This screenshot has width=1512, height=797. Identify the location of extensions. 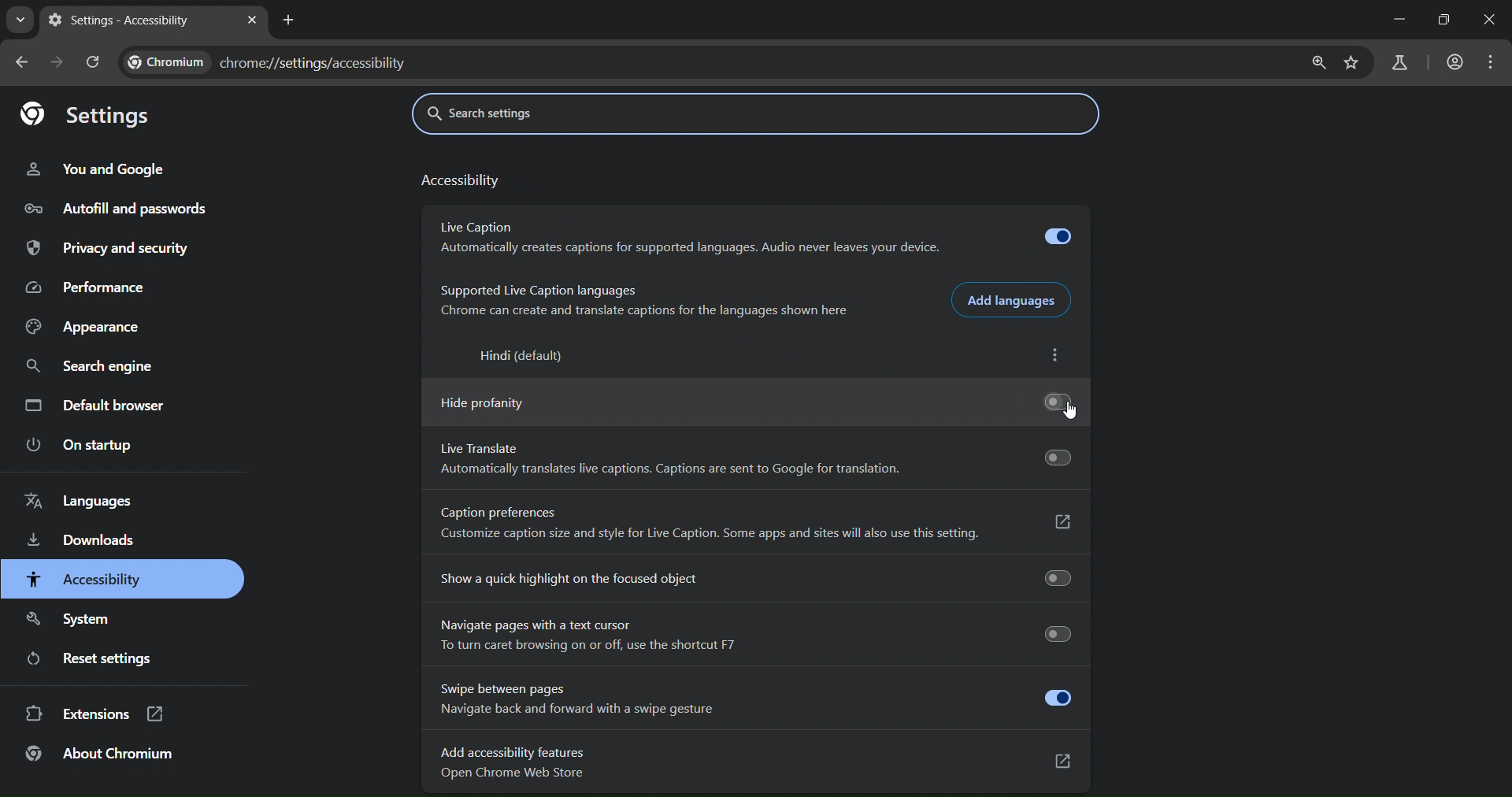
(94, 714).